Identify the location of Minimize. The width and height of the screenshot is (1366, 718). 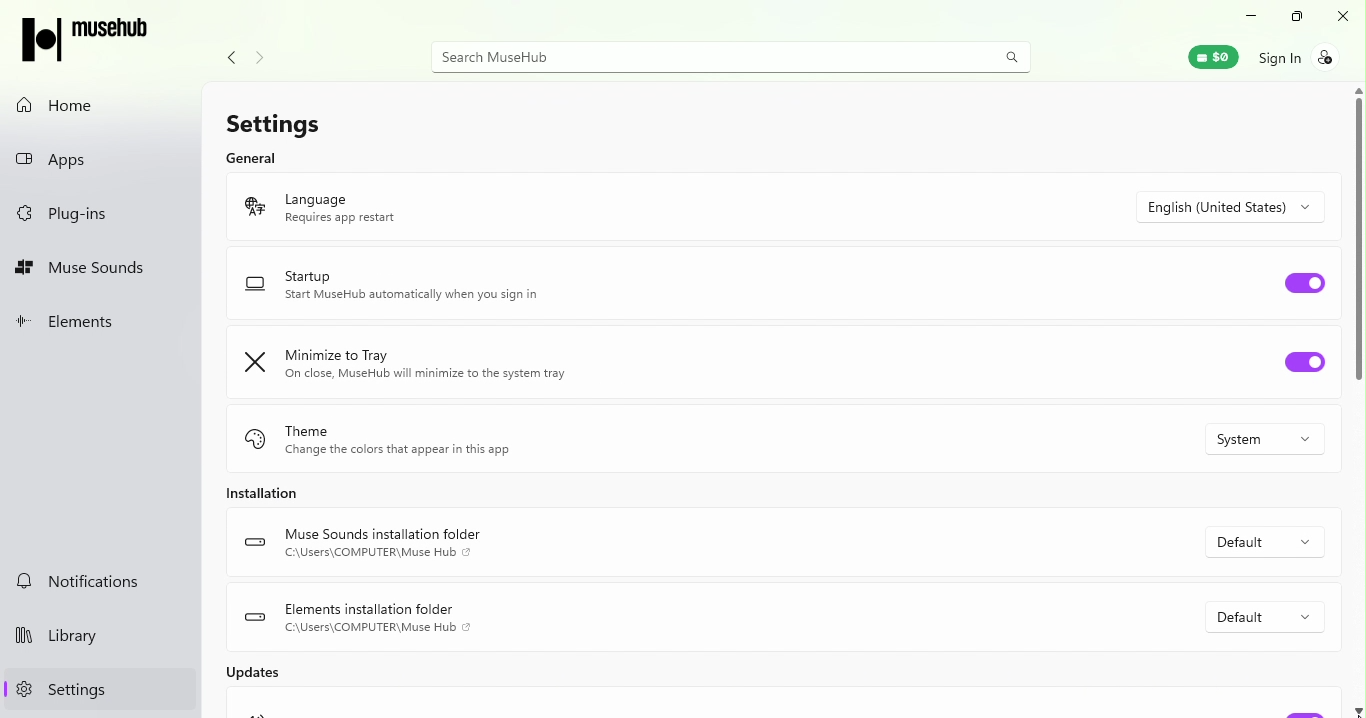
(1250, 15).